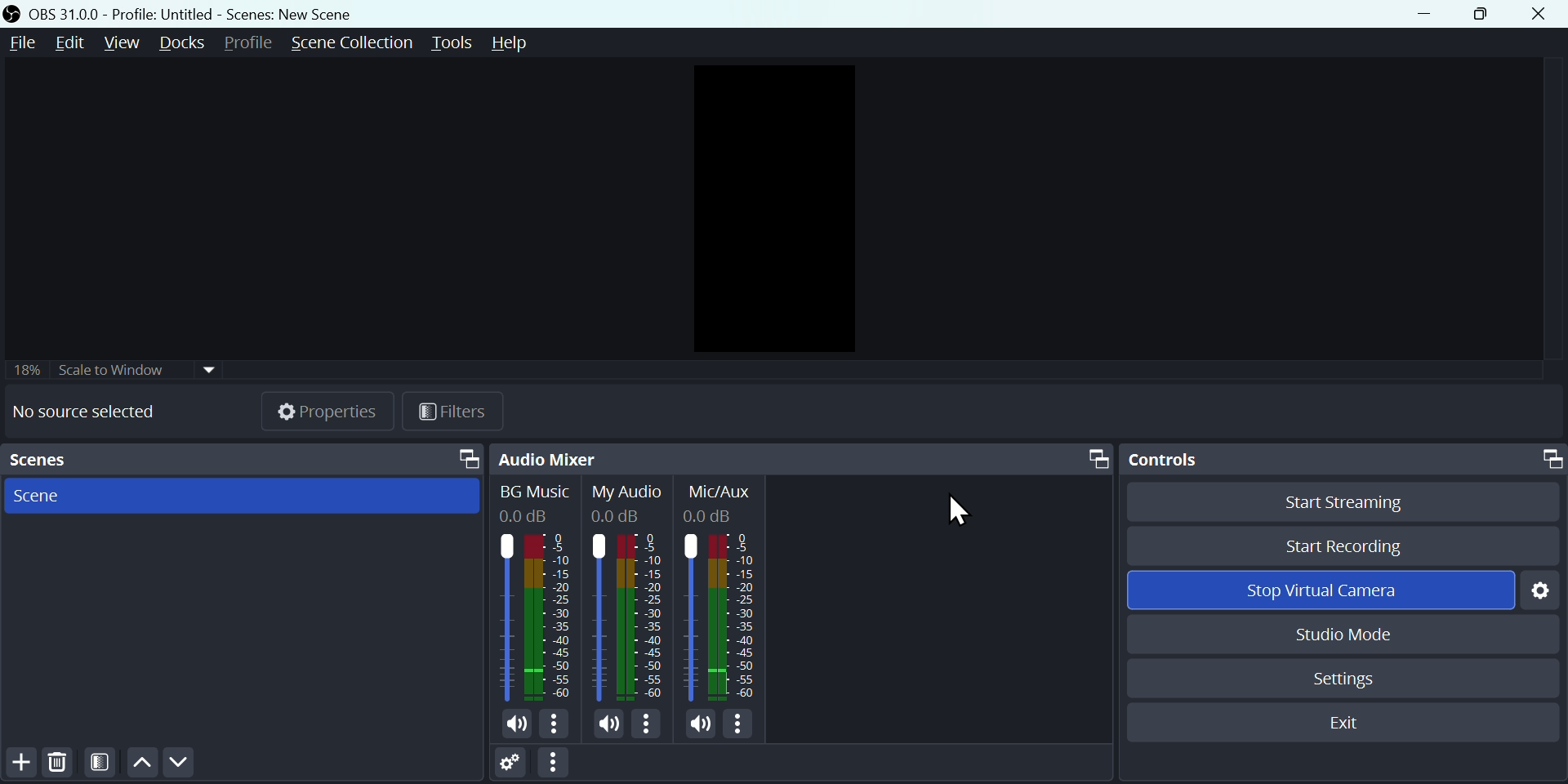  Describe the element at coordinates (506, 41) in the screenshot. I see `help` at that location.